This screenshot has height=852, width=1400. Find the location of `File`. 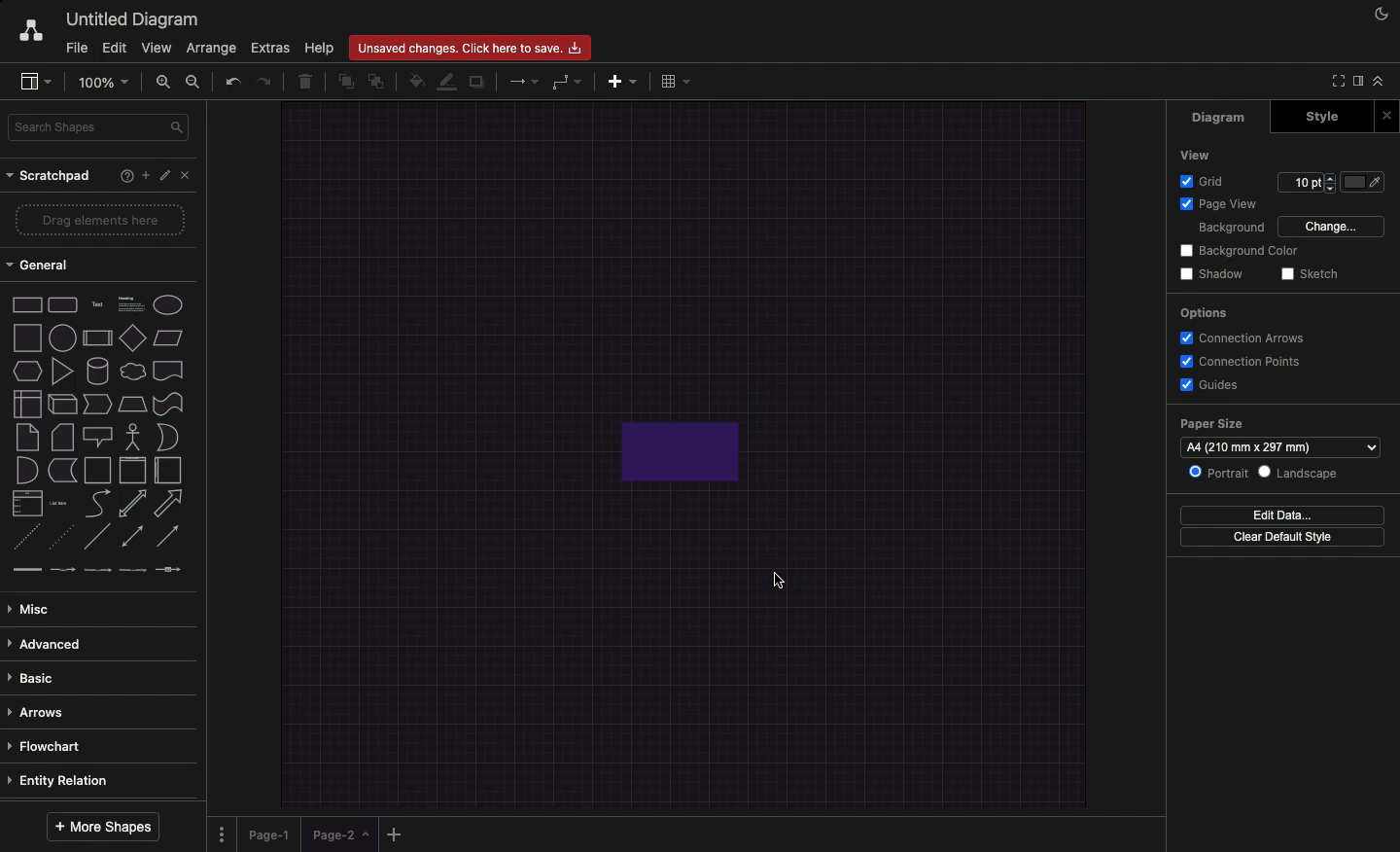

File is located at coordinates (77, 46).